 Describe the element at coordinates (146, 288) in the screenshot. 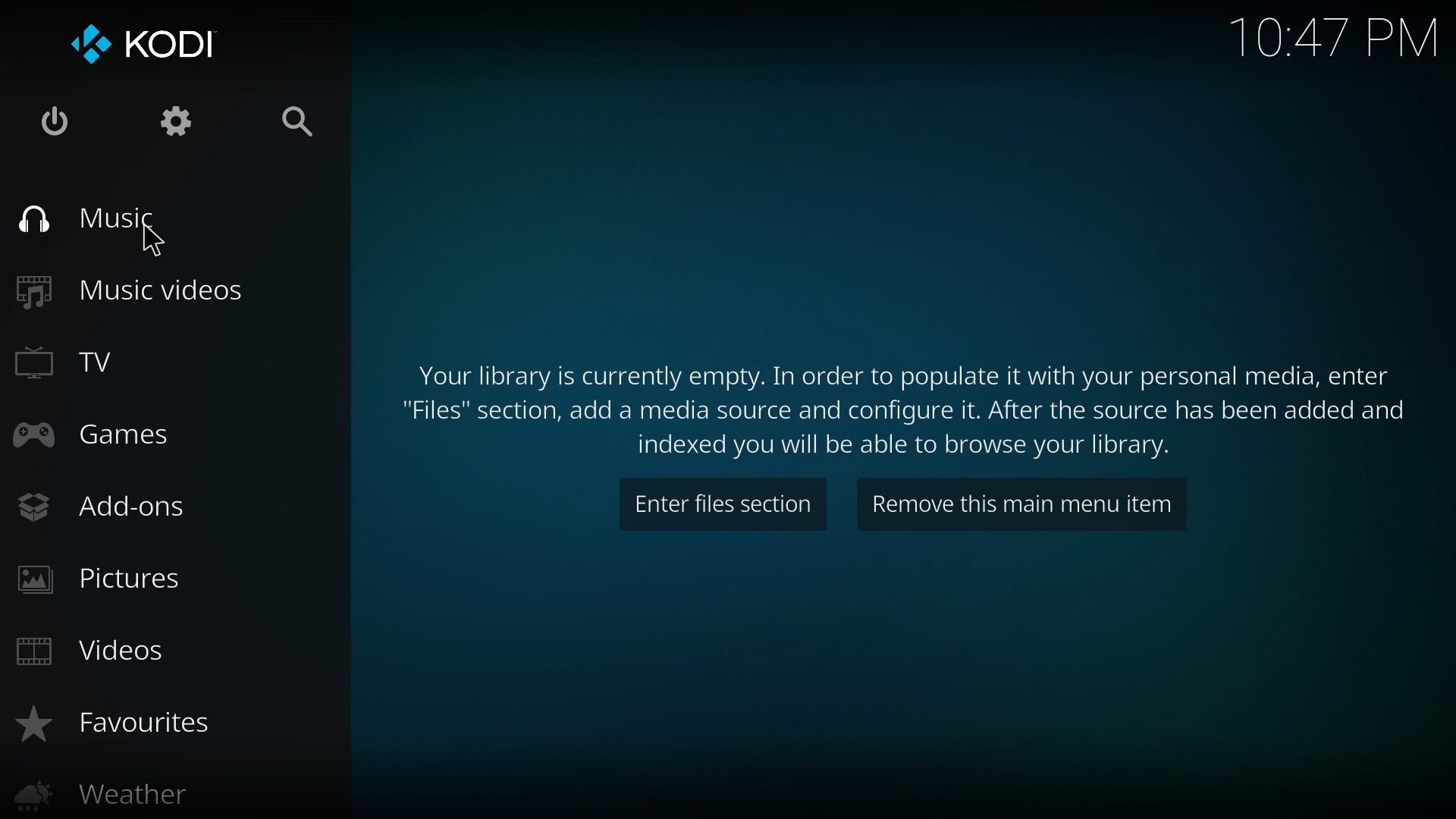

I see `music videos` at that location.